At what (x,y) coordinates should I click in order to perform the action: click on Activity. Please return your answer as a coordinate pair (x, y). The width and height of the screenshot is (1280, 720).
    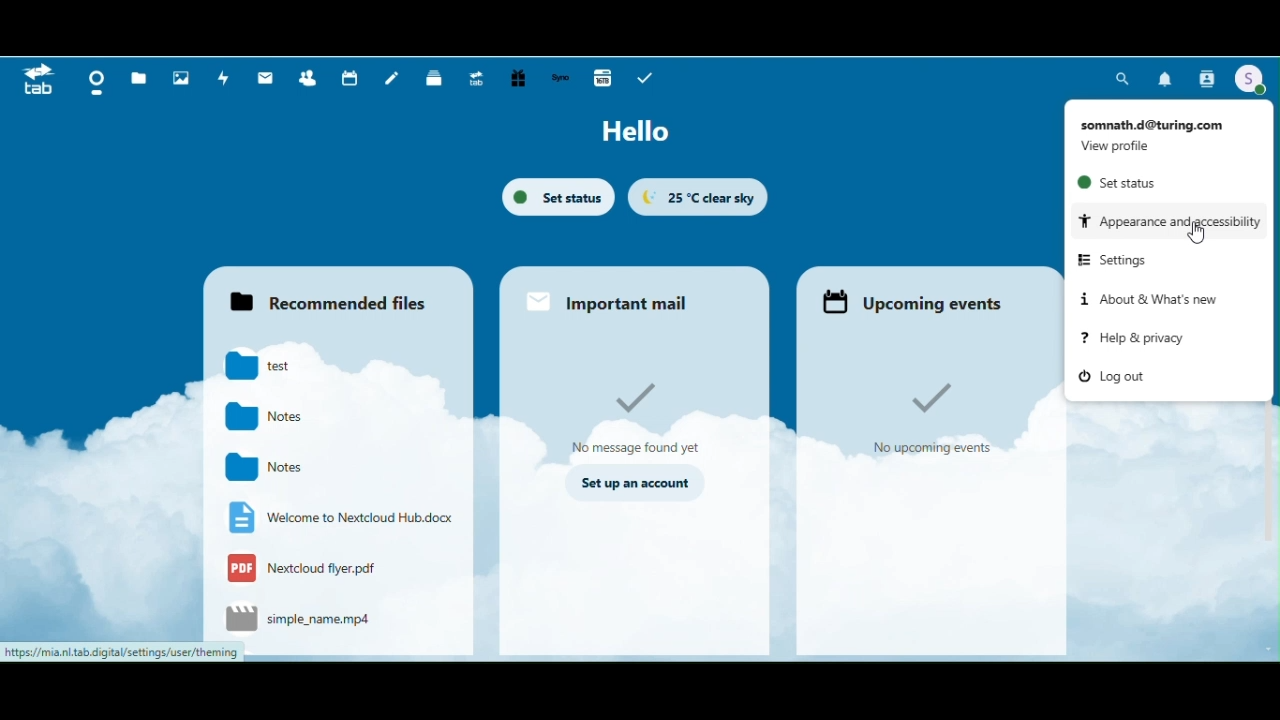
    Looking at the image, I should click on (223, 80).